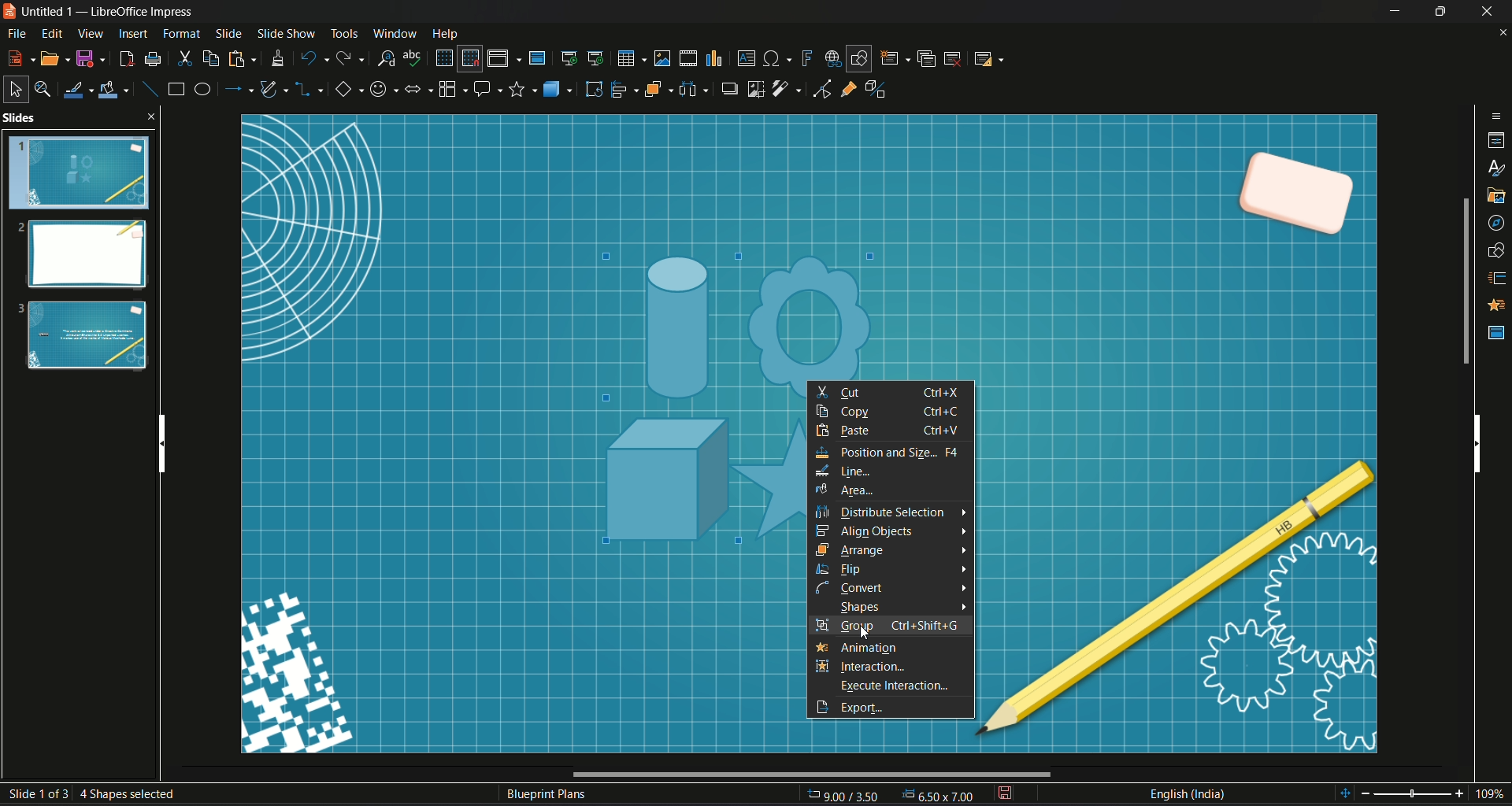 Image resolution: width=1512 pixels, height=806 pixels. What do you see at coordinates (873, 706) in the screenshot?
I see `export` at bounding box center [873, 706].